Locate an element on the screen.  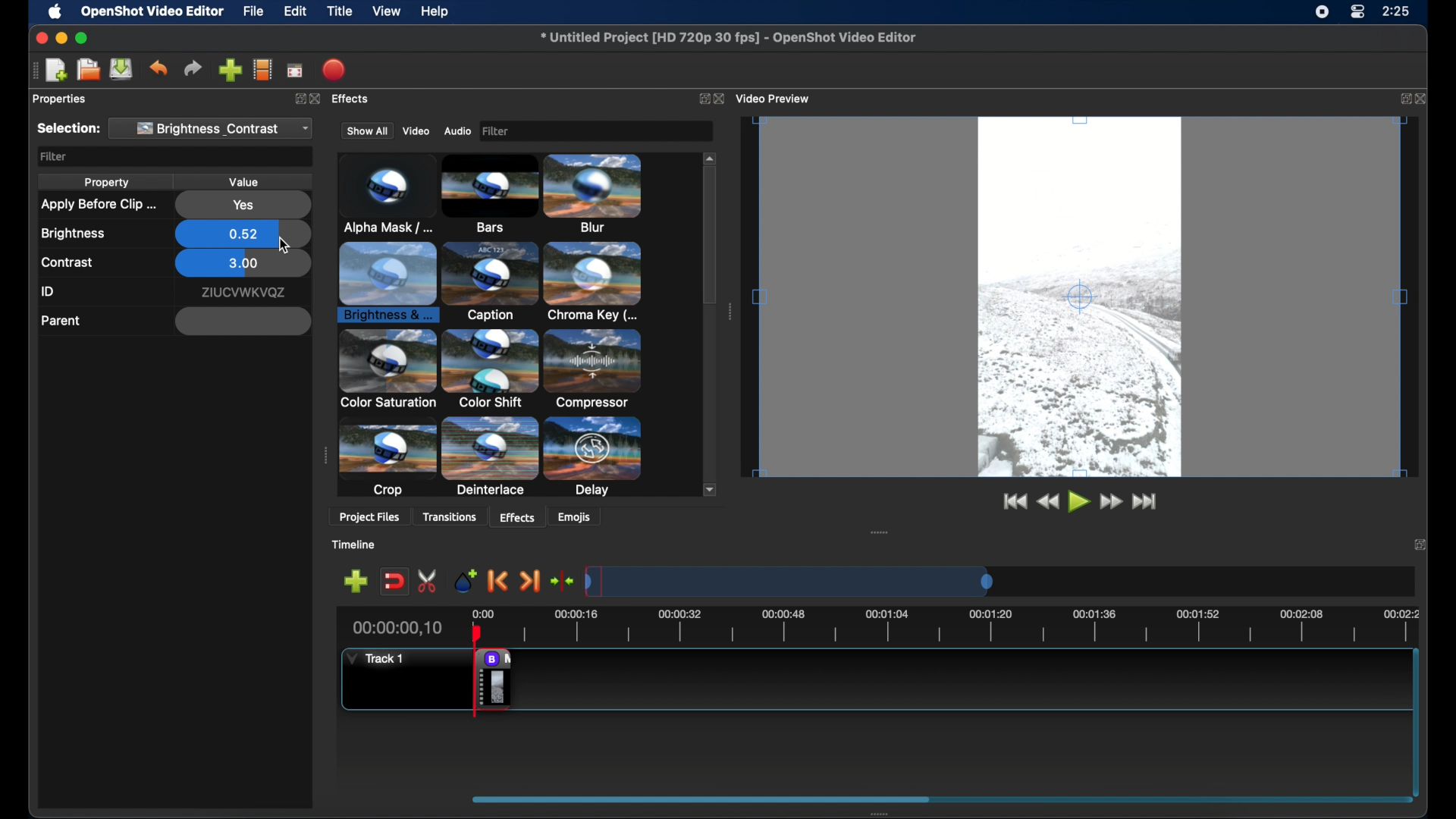
emojis is located at coordinates (582, 519).